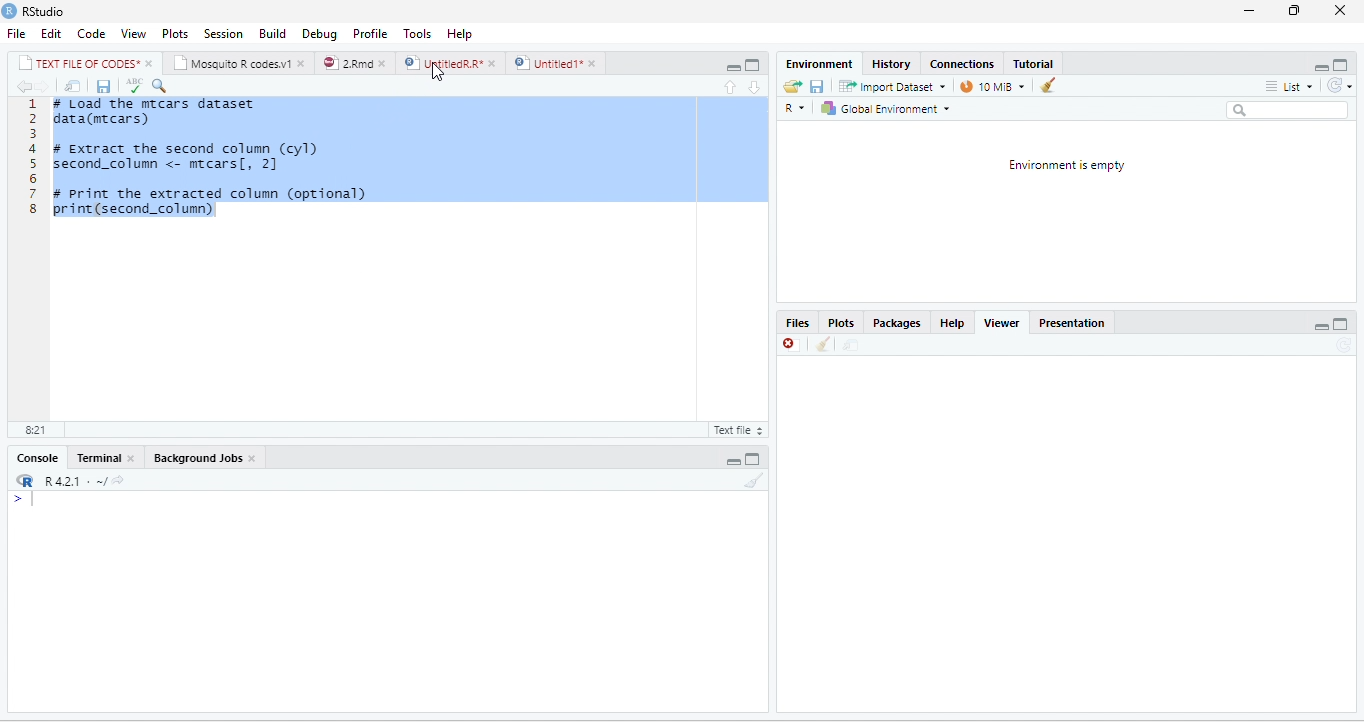 Image resolution: width=1364 pixels, height=722 pixels. Describe the element at coordinates (32, 149) in the screenshot. I see `4` at that location.